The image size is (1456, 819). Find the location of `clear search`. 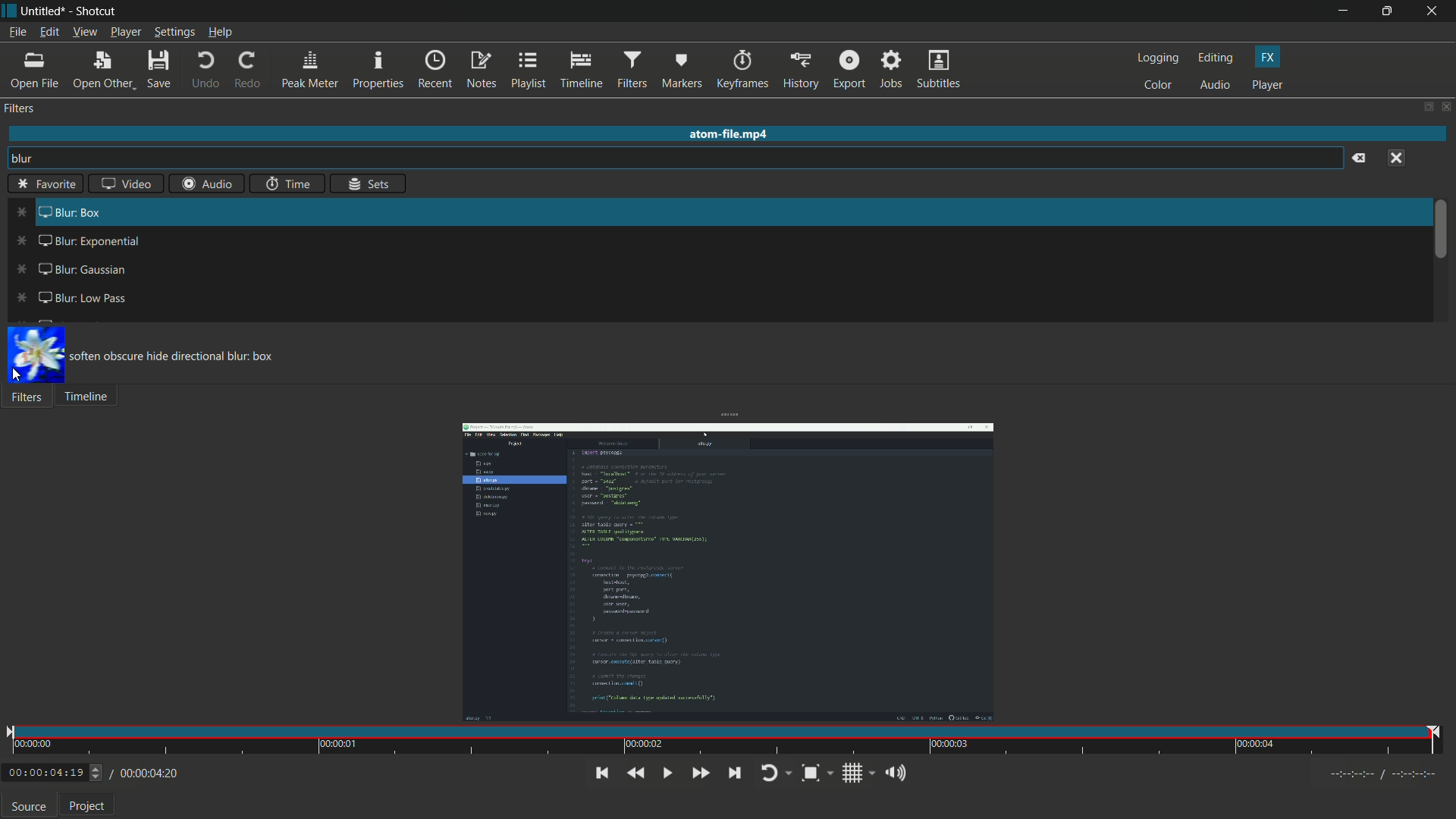

clear search is located at coordinates (1360, 158).